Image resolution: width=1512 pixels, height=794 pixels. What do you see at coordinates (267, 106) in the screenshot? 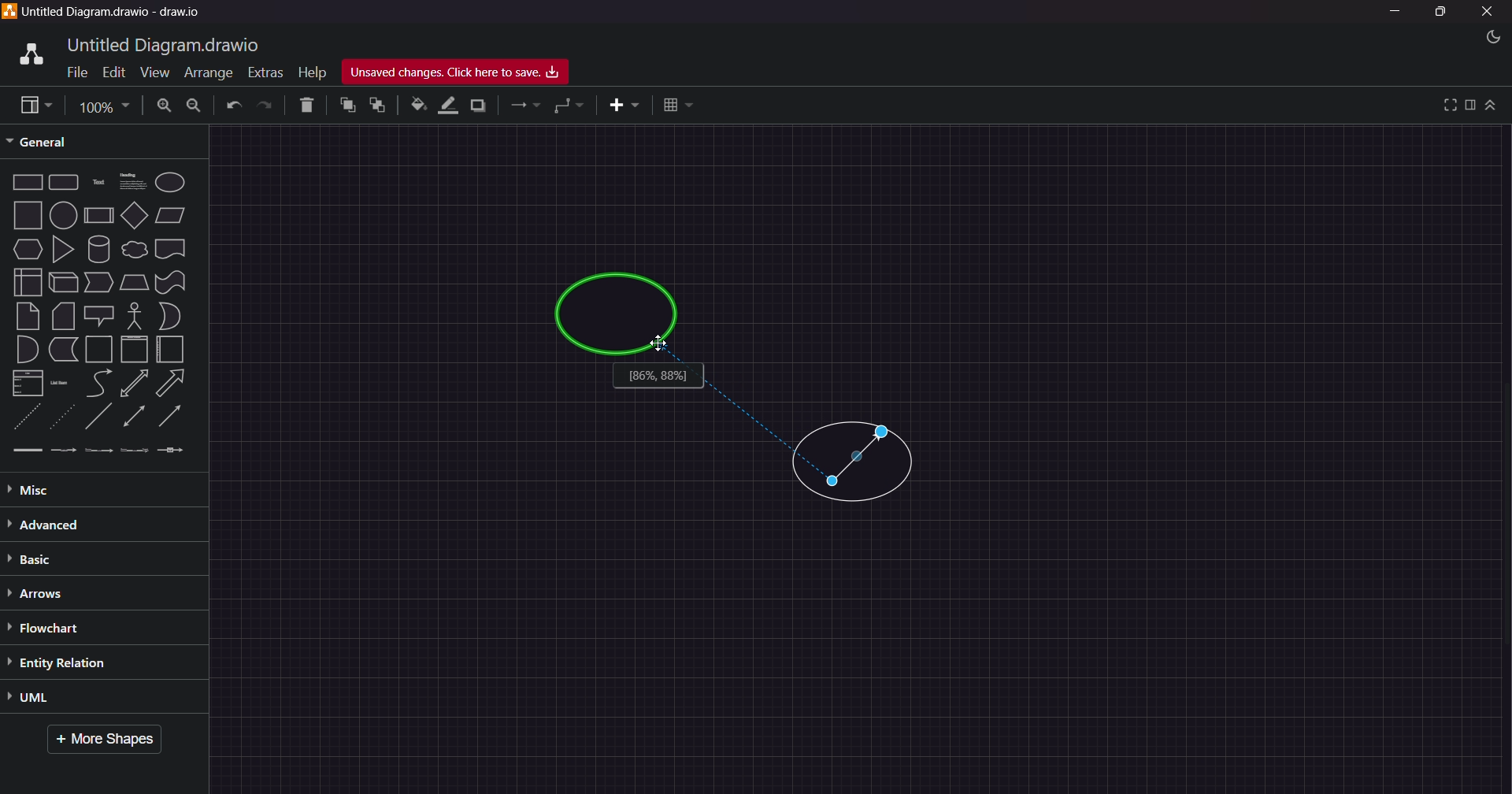
I see `Redo` at bounding box center [267, 106].